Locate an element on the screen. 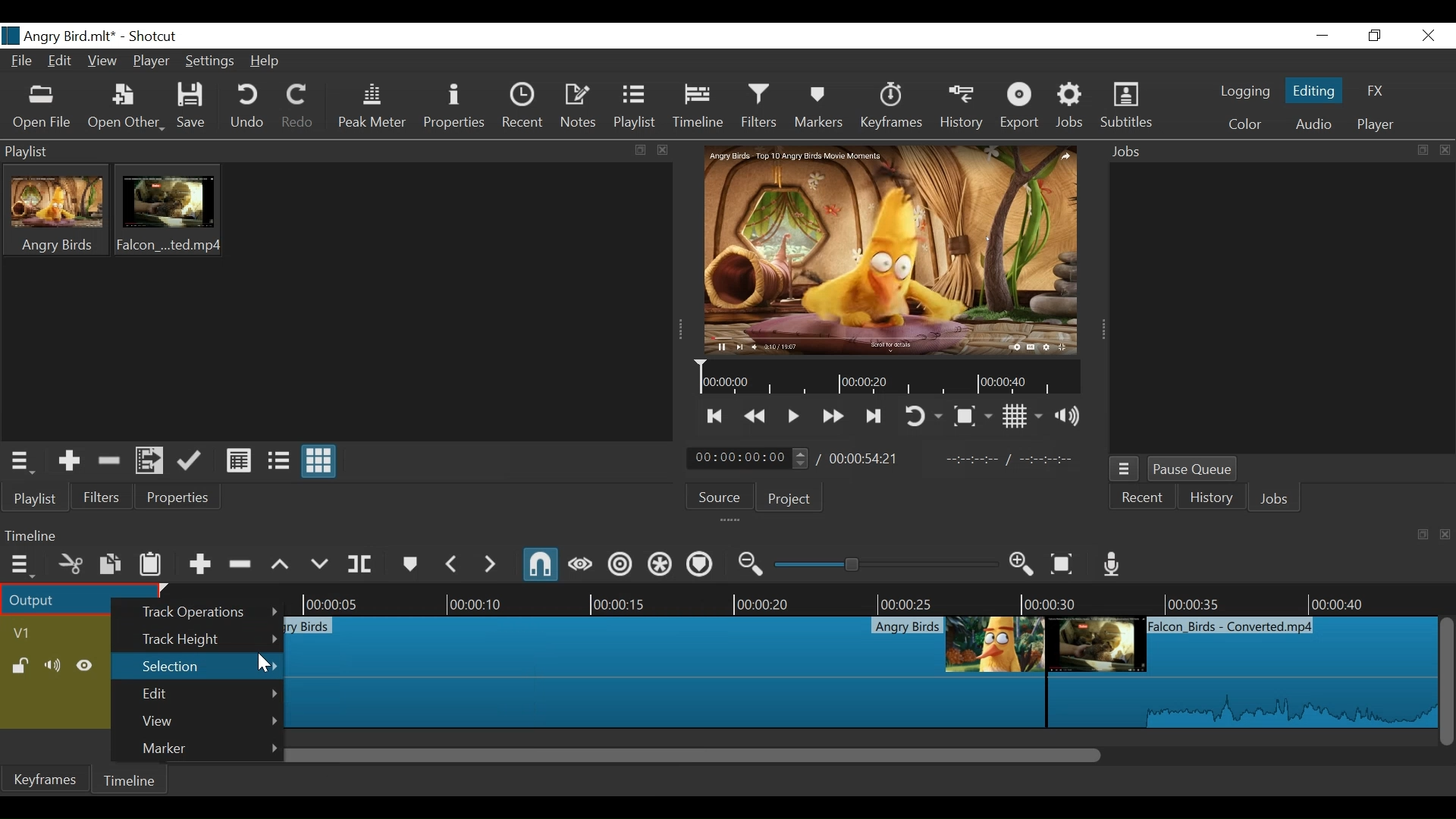 The height and width of the screenshot is (819, 1456). History is located at coordinates (962, 107).